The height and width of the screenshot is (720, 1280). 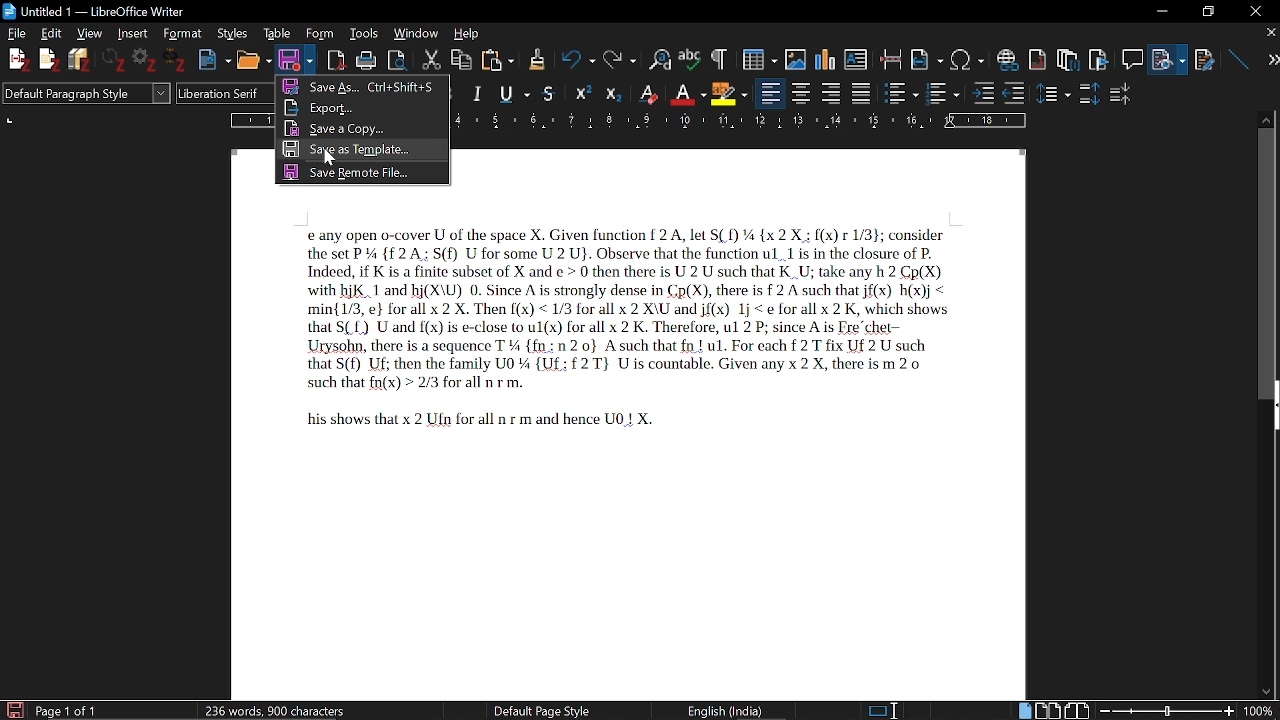 What do you see at coordinates (585, 92) in the screenshot?
I see `` at bounding box center [585, 92].